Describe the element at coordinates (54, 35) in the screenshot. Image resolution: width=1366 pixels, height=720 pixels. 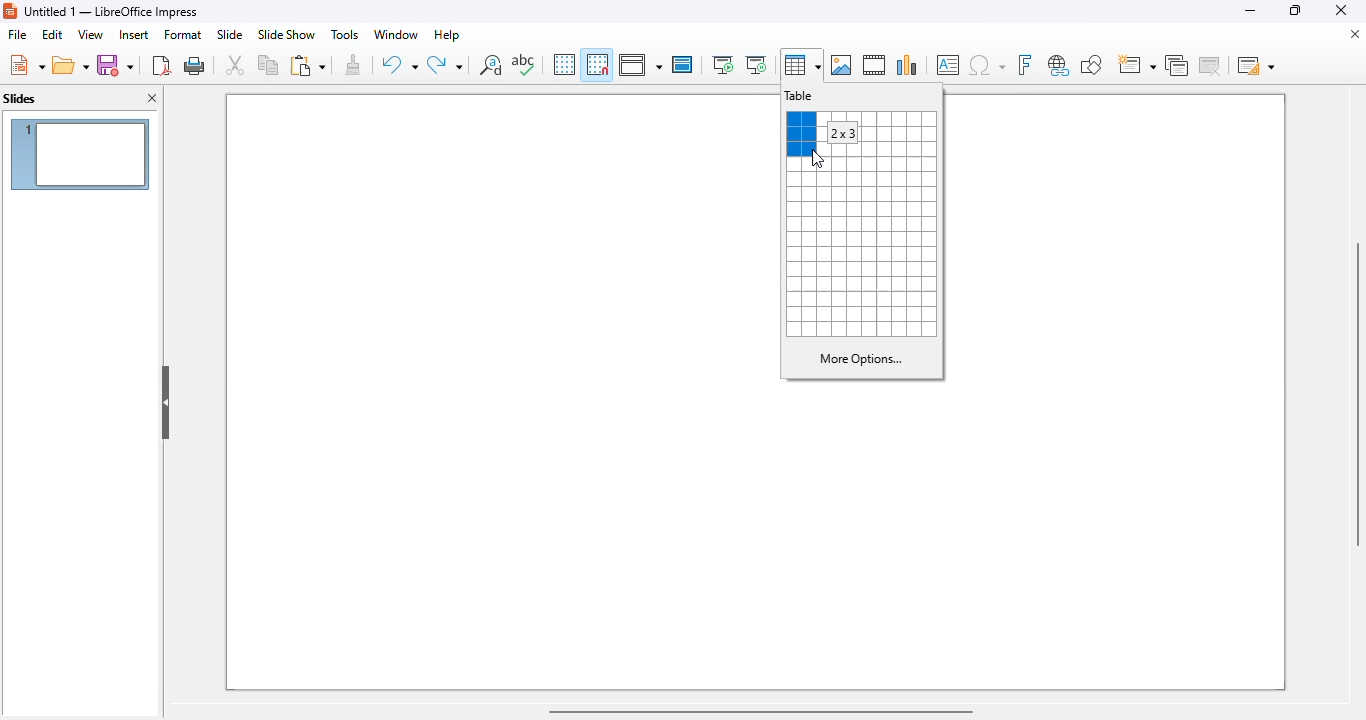
I see `edit` at that location.